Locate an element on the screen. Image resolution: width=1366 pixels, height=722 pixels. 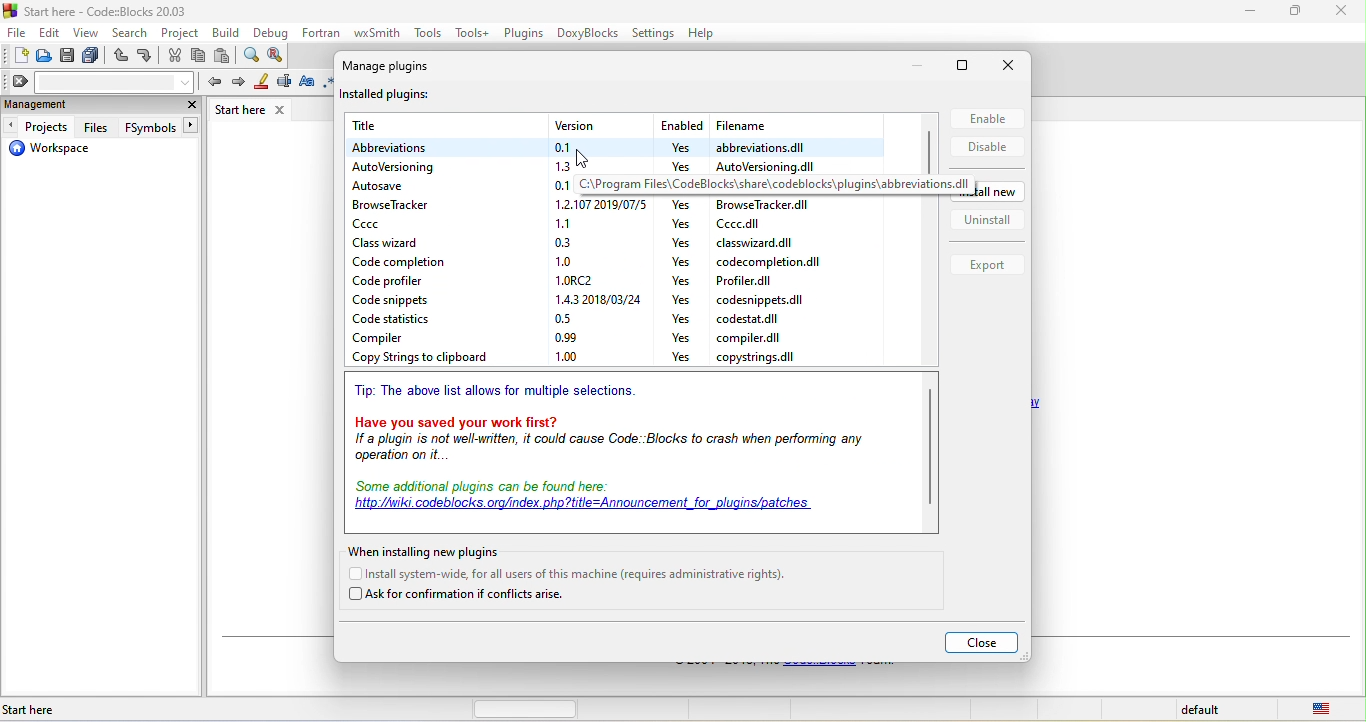
file is located at coordinates (761, 147).